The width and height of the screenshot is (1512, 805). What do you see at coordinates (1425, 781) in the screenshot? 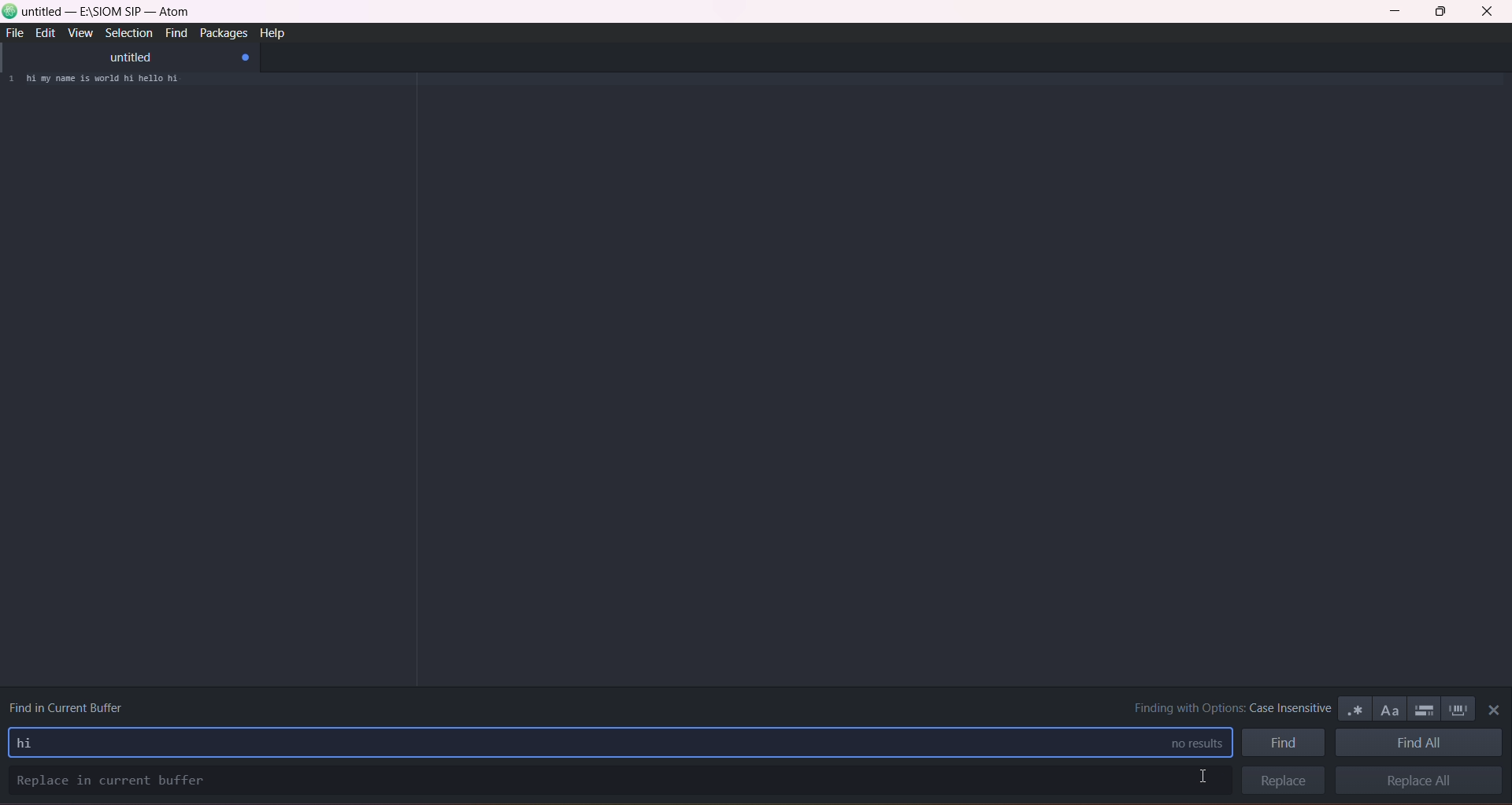
I see `replace all` at bounding box center [1425, 781].